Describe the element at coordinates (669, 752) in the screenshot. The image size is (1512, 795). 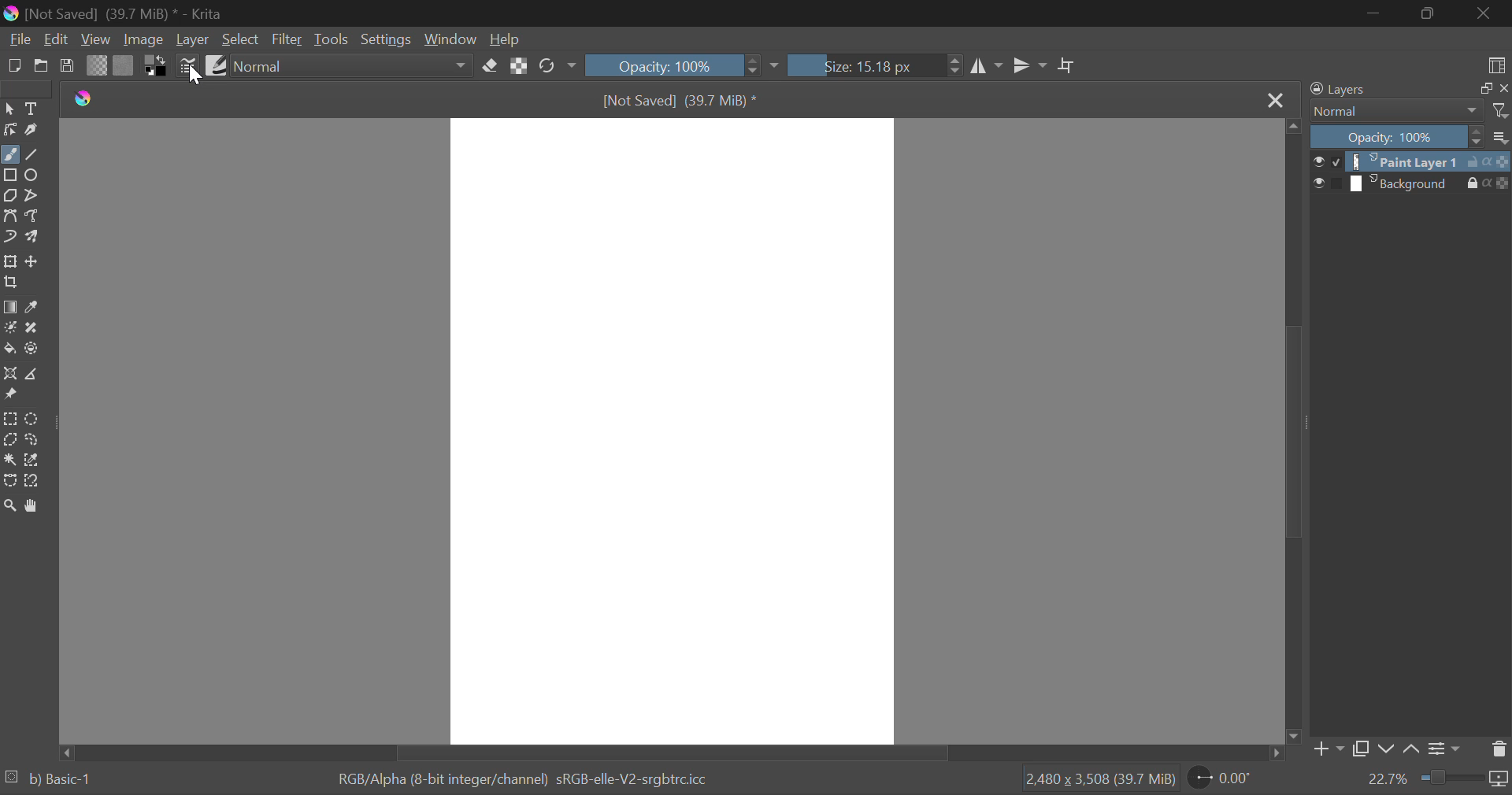
I see `Scroll Bar` at that location.